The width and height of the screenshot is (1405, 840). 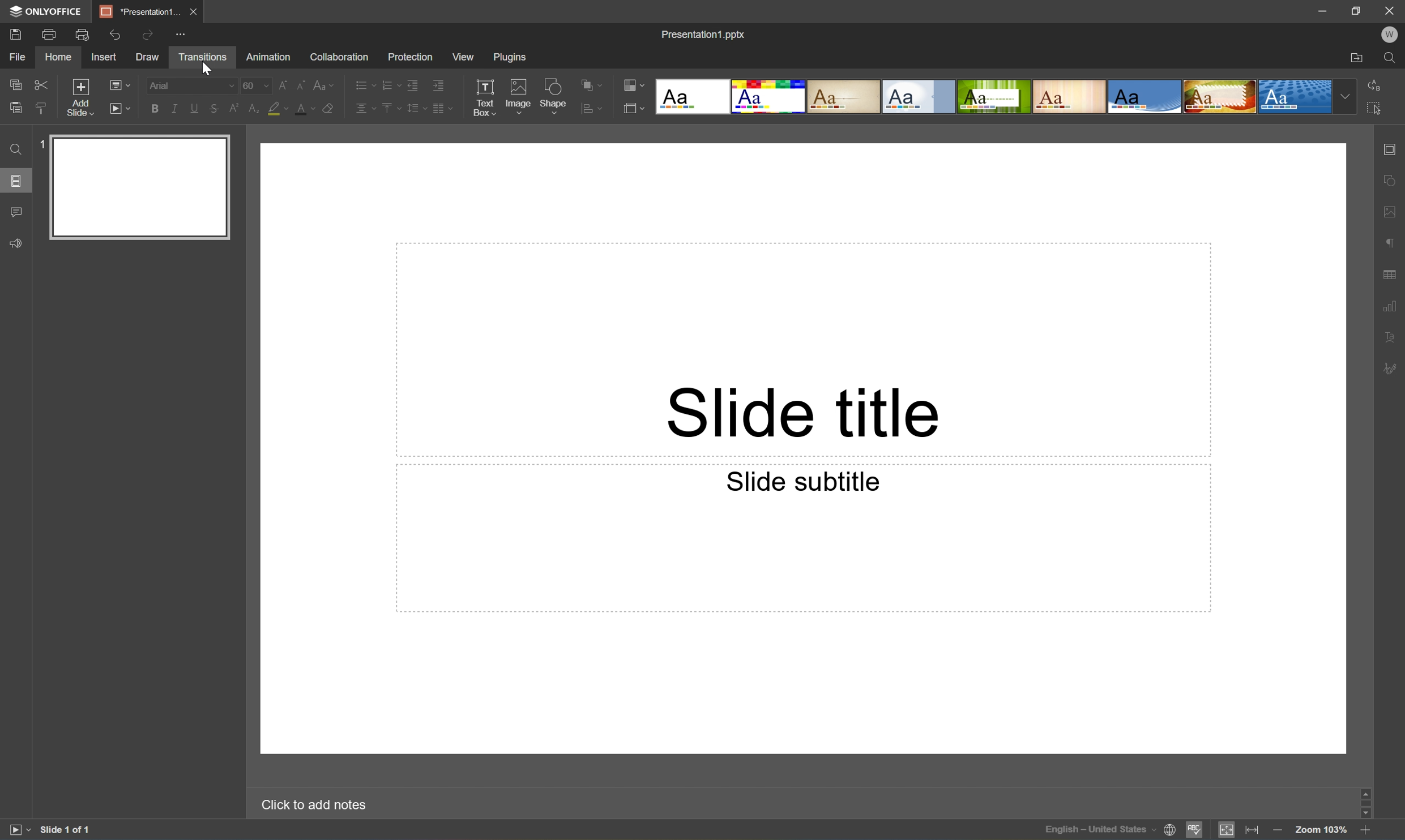 I want to click on Superscript, so click(x=233, y=108).